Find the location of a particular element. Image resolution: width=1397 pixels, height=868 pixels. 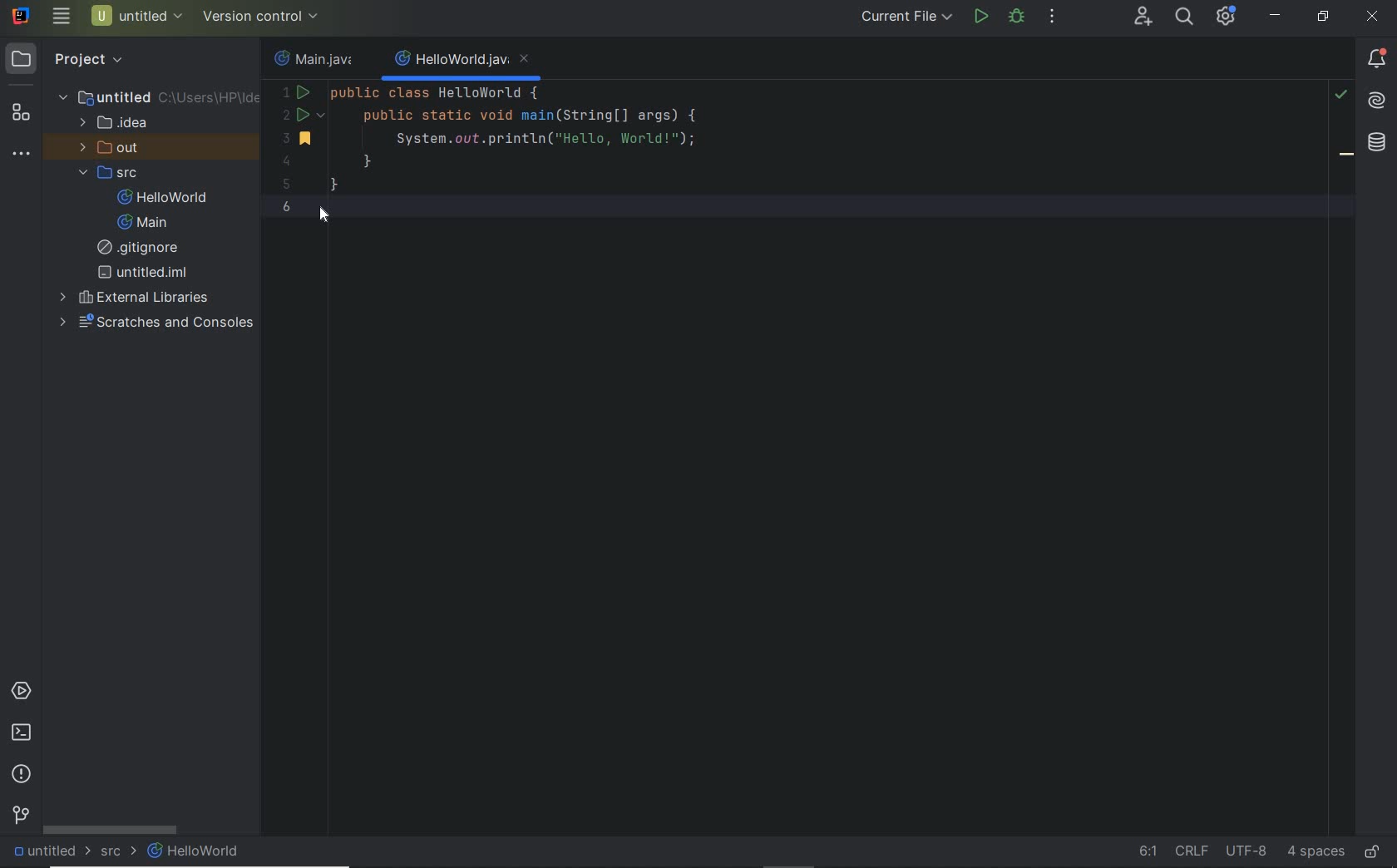

cursor is located at coordinates (328, 217).